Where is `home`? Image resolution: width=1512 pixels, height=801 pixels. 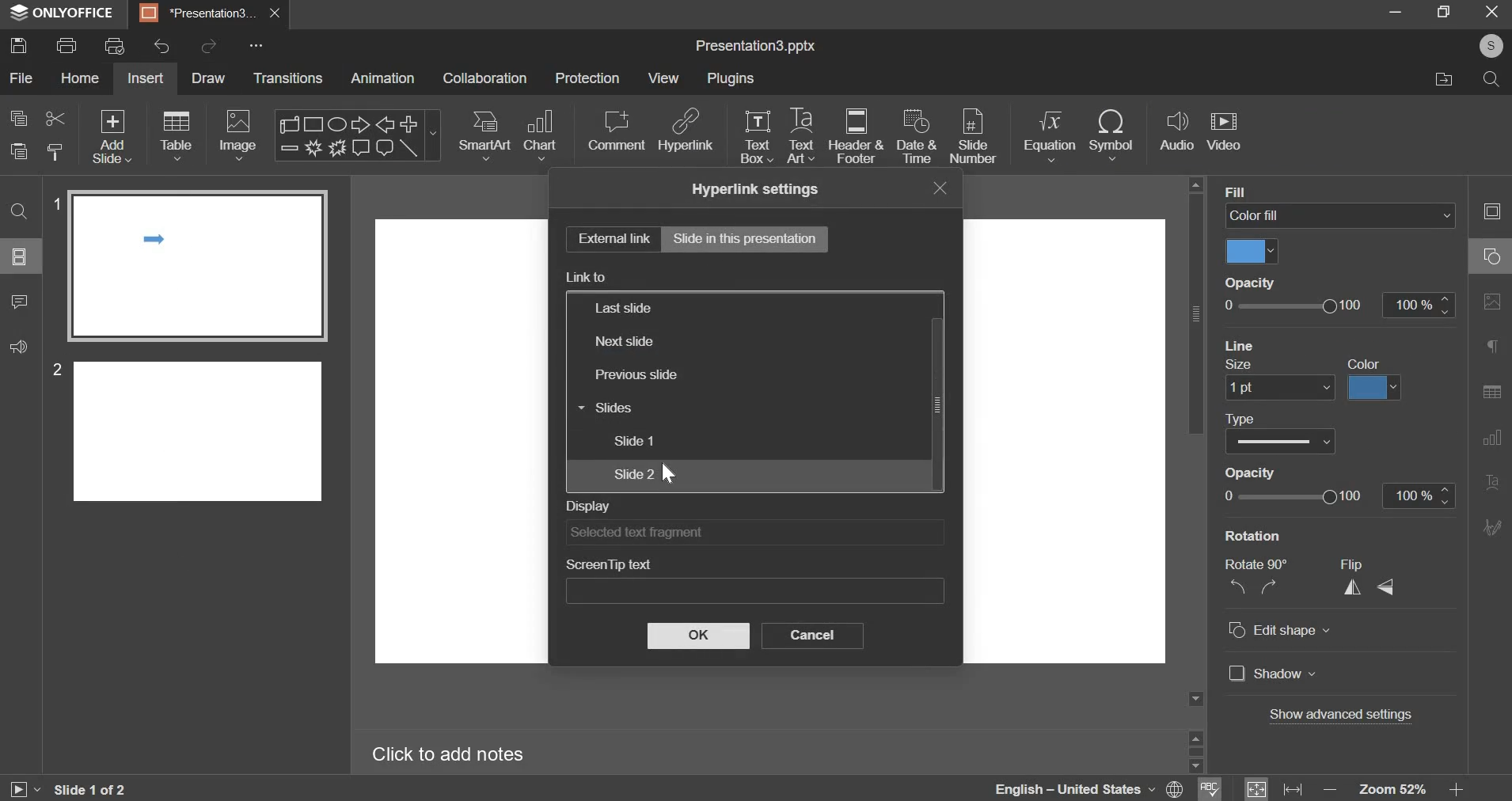
home is located at coordinates (81, 78).